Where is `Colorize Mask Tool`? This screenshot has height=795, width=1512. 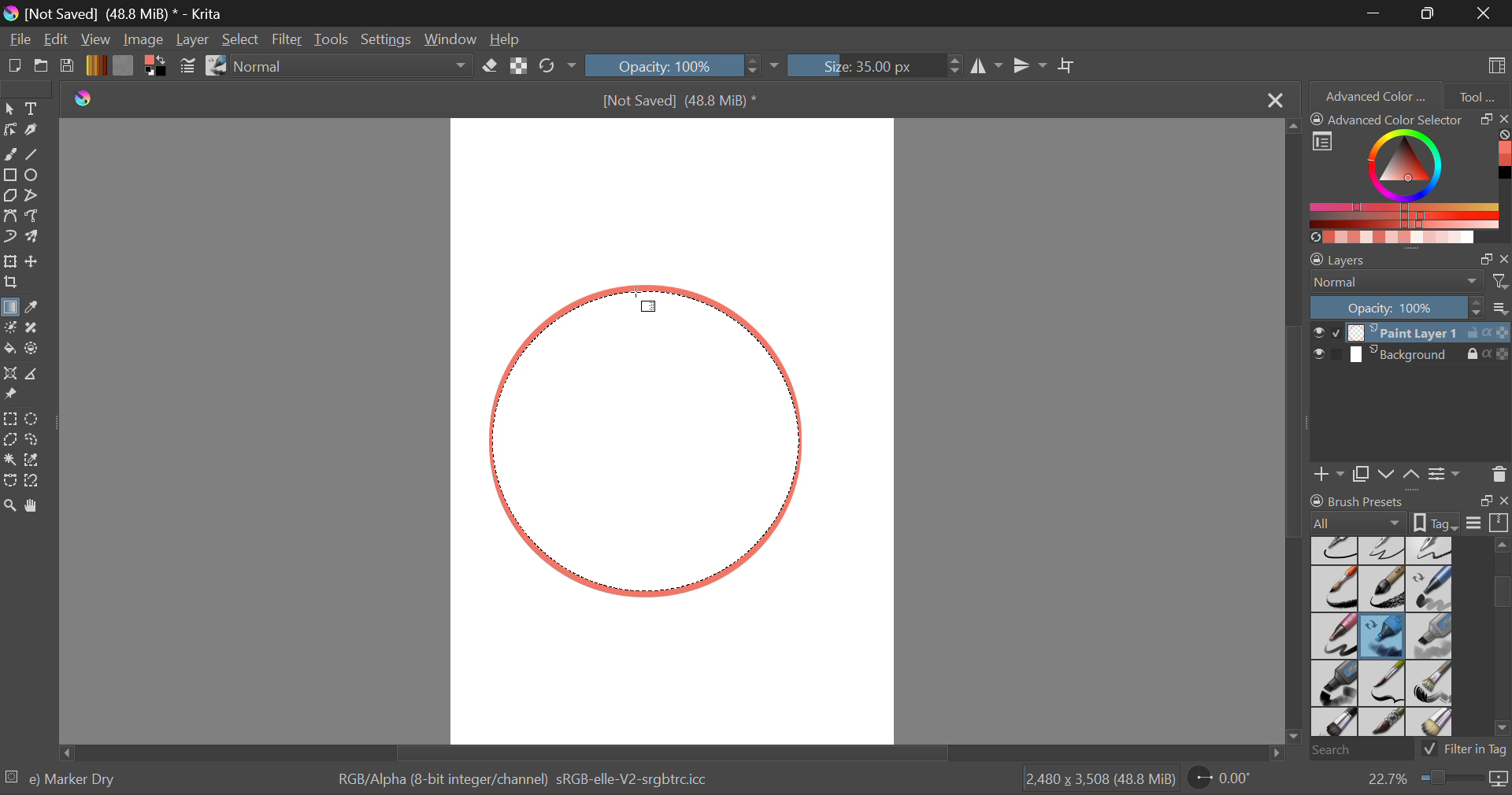
Colorize Mask Tool is located at coordinates (11, 329).